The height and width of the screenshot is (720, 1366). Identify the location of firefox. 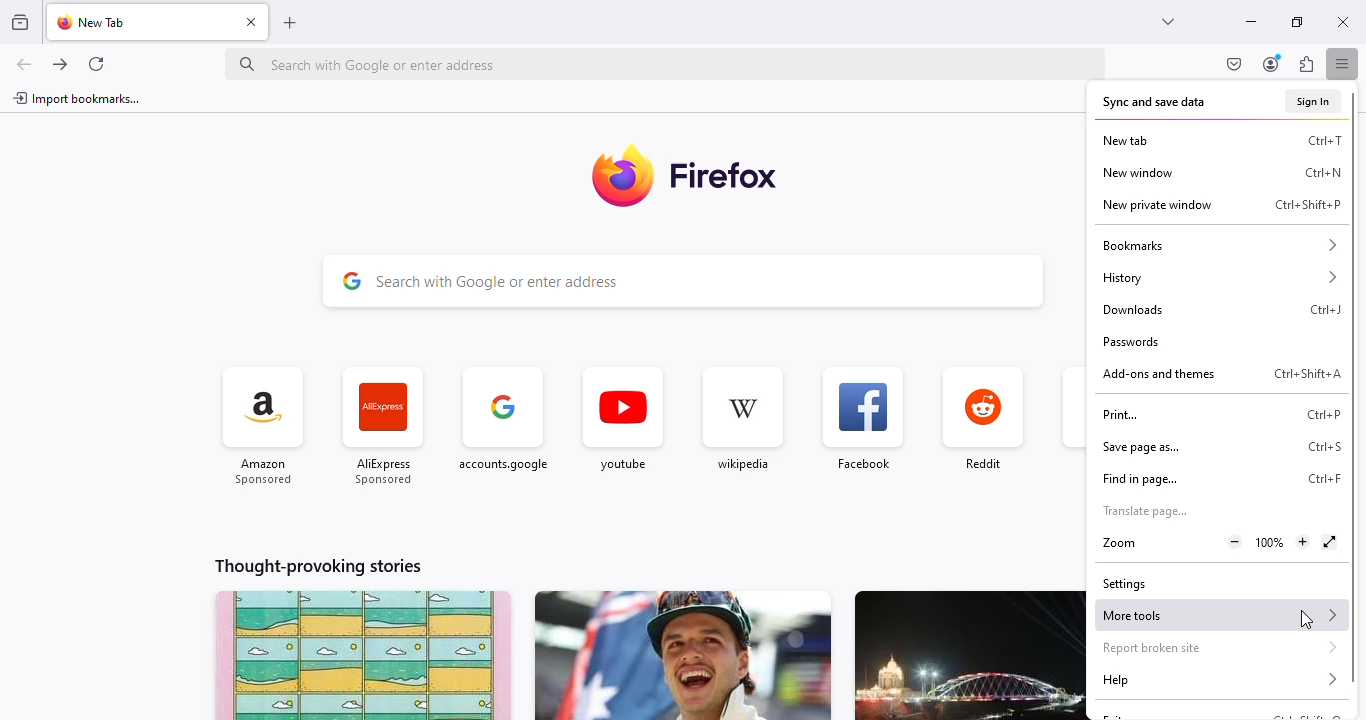
(725, 174).